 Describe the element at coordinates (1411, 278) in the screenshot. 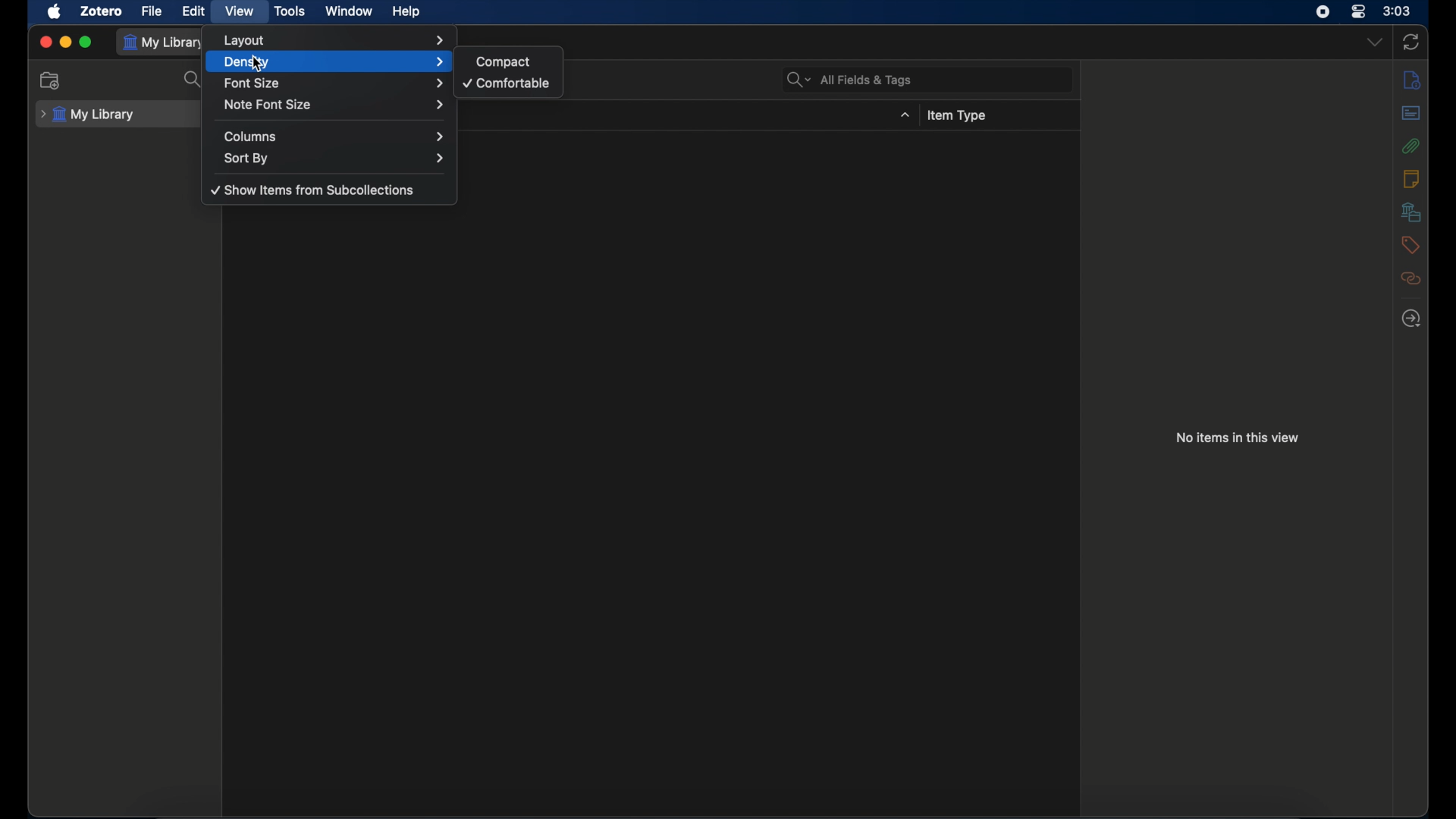

I see `related` at that location.